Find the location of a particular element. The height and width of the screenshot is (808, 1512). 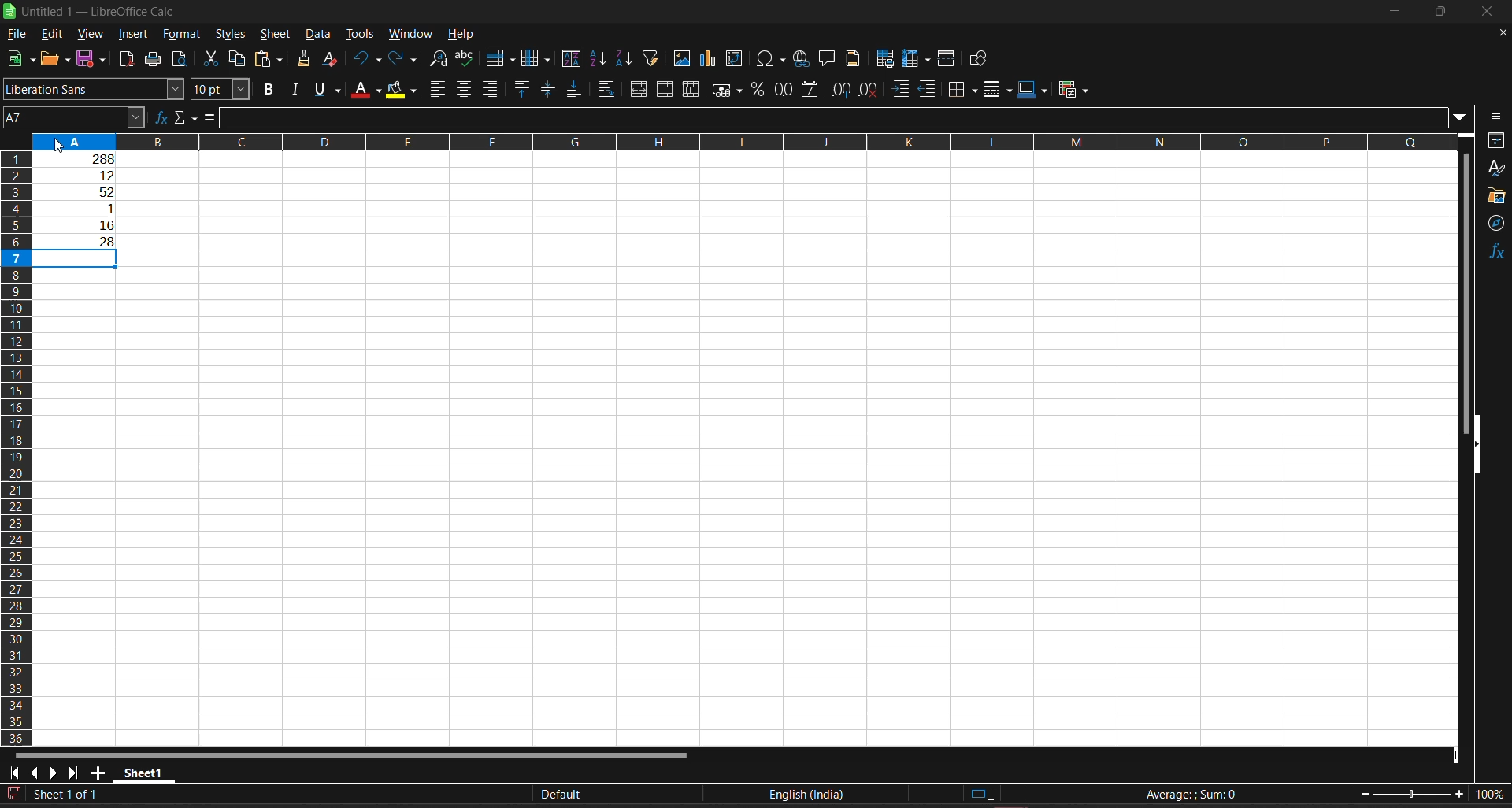

sort is located at coordinates (572, 60).